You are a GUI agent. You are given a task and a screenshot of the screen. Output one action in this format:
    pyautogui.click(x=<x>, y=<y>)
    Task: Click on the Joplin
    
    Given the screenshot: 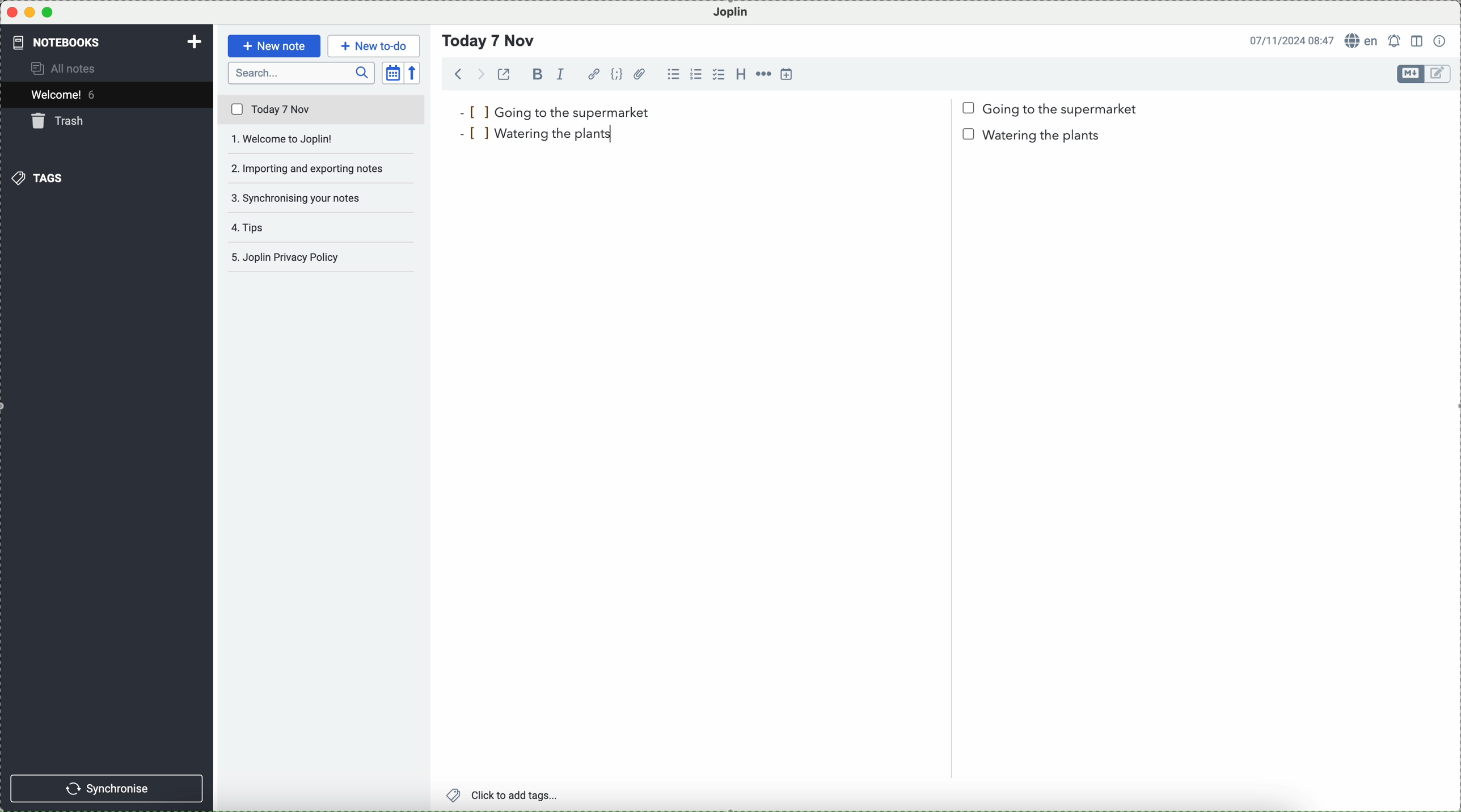 What is the action you would take?
    pyautogui.click(x=731, y=13)
    